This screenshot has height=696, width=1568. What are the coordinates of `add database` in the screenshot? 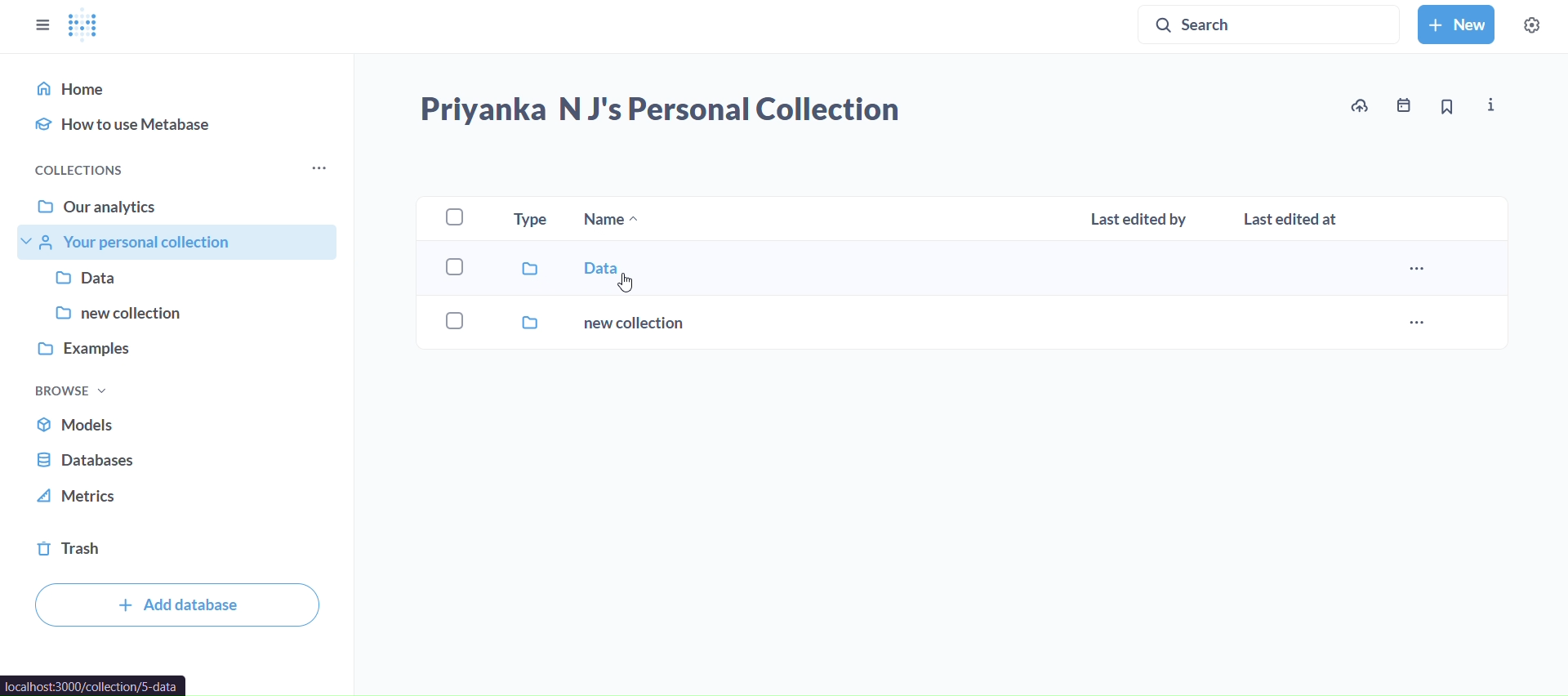 It's located at (175, 605).